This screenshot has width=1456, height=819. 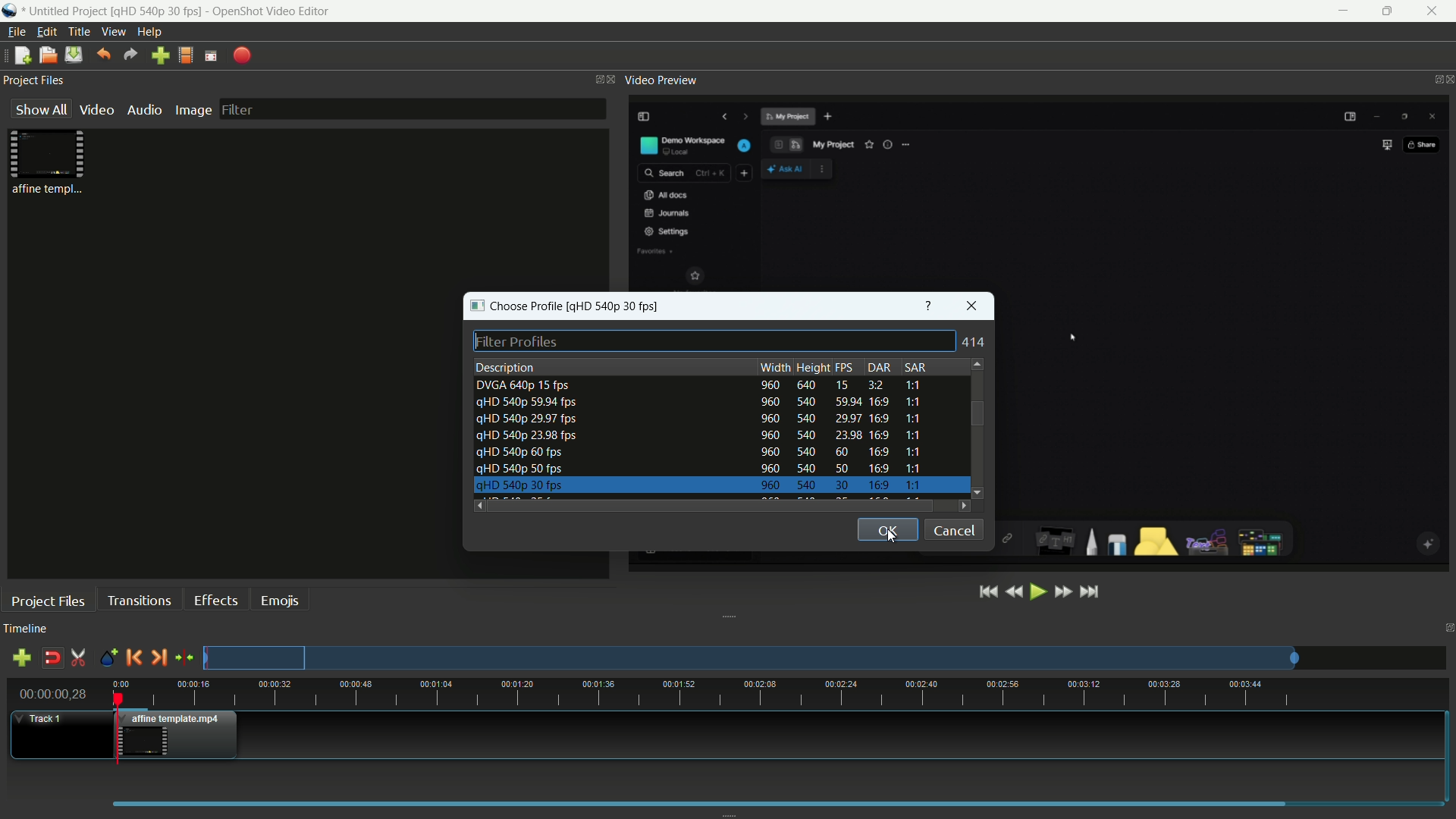 What do you see at coordinates (139, 600) in the screenshot?
I see `transitions` at bounding box center [139, 600].